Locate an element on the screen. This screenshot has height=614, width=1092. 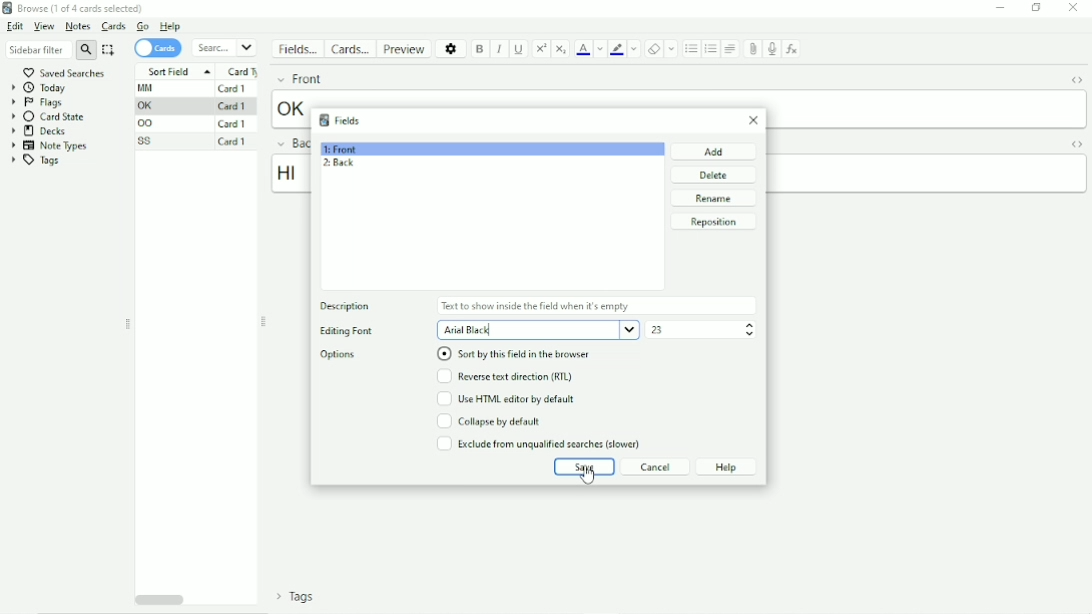
Cards is located at coordinates (352, 49).